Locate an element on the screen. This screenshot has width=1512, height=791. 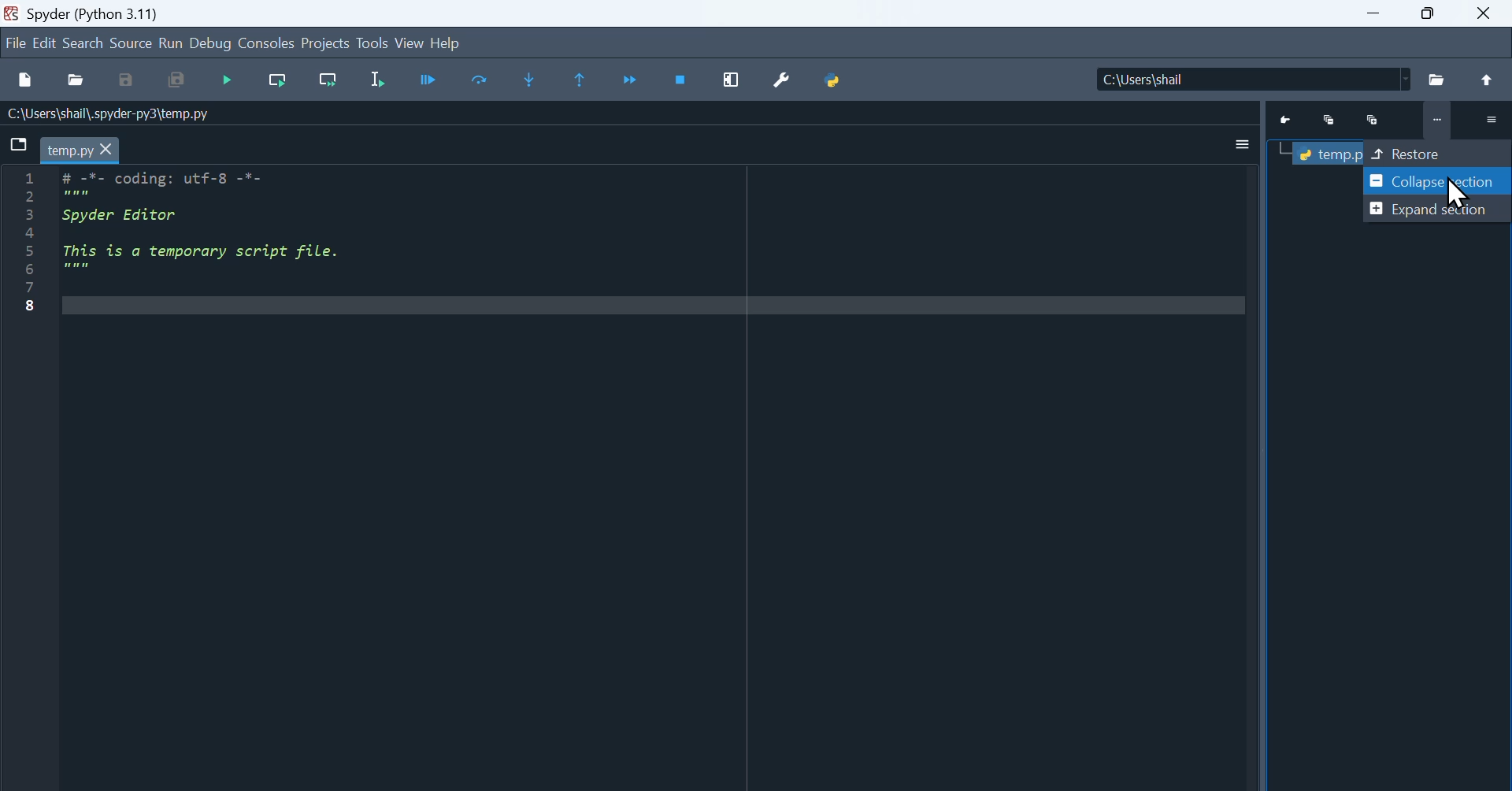
Run cell is located at coordinates (428, 83).